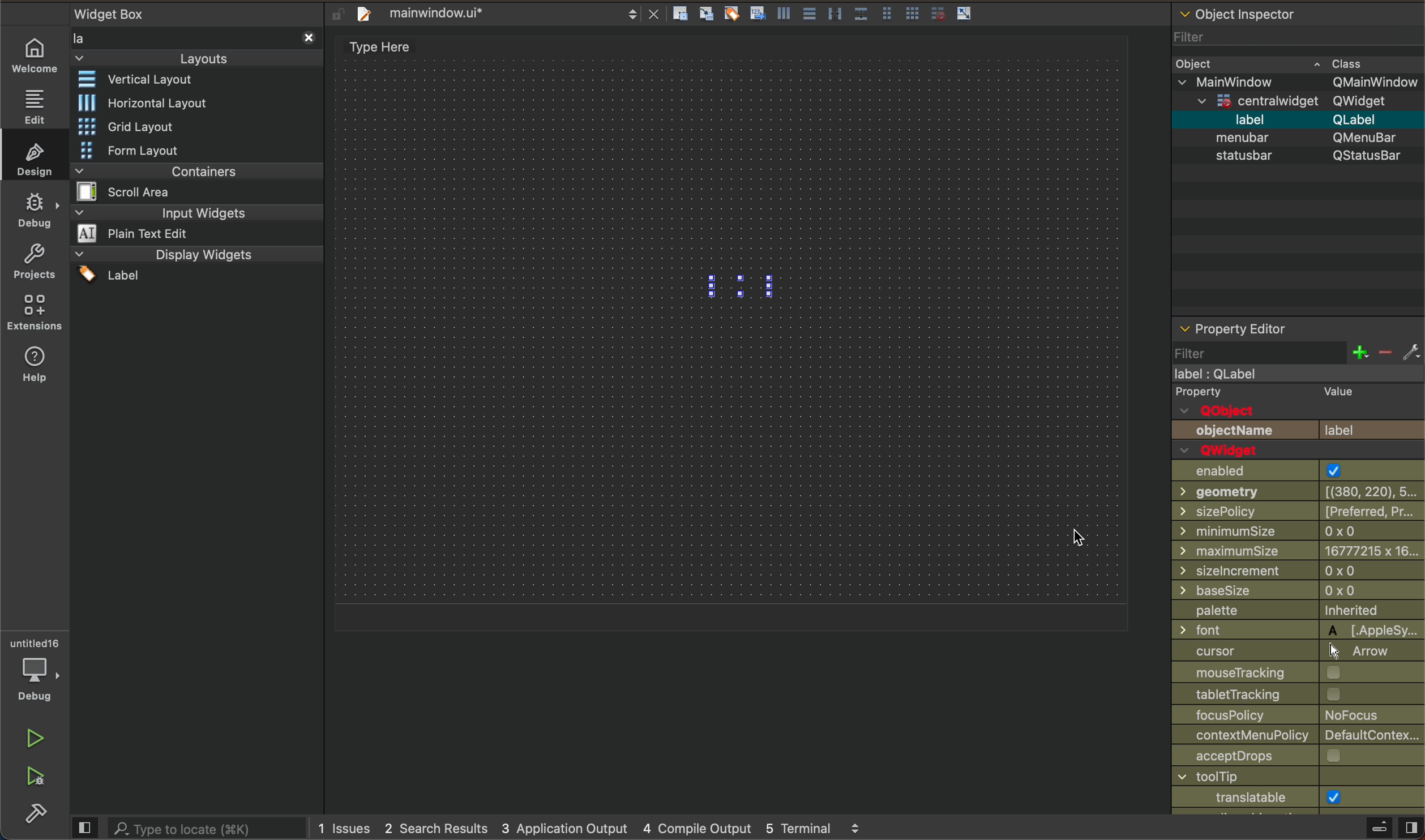 The image size is (1425, 840). Describe the element at coordinates (441, 828) in the screenshot. I see `2 search result` at that location.